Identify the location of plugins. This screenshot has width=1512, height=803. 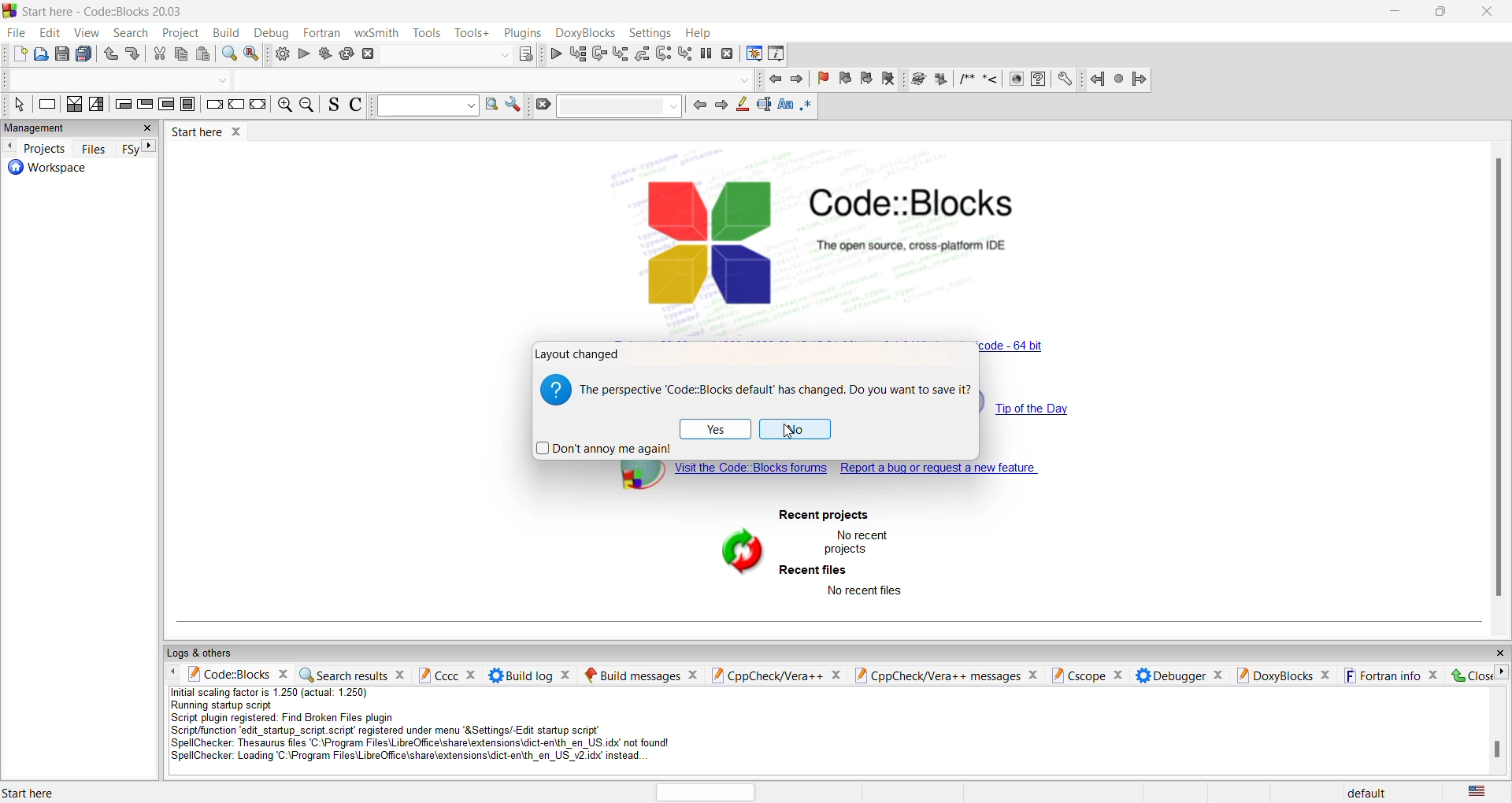
(521, 32).